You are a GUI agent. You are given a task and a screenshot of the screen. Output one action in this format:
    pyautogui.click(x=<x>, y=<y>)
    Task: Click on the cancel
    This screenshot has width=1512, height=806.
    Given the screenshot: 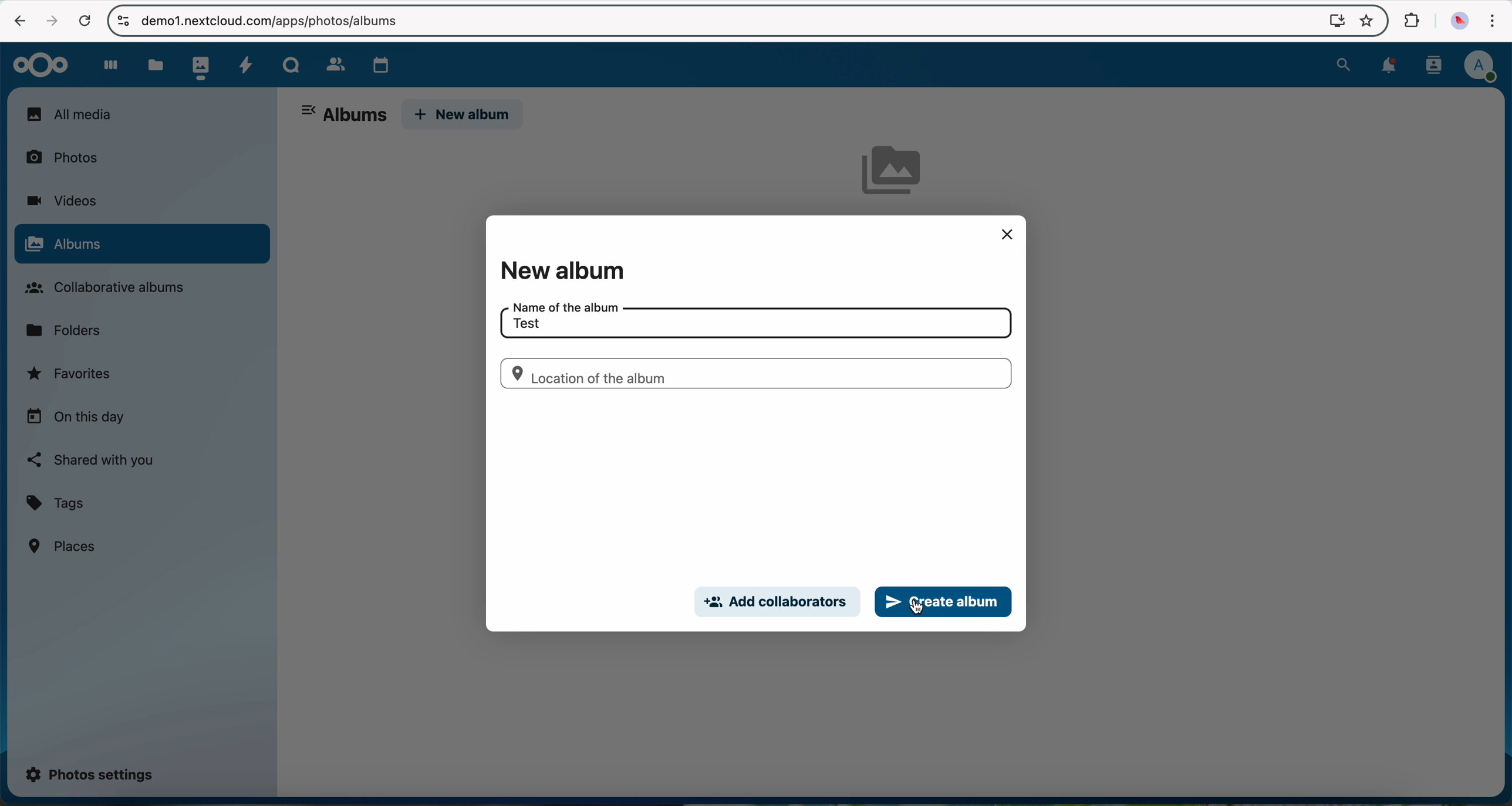 What is the action you would take?
    pyautogui.click(x=85, y=22)
    